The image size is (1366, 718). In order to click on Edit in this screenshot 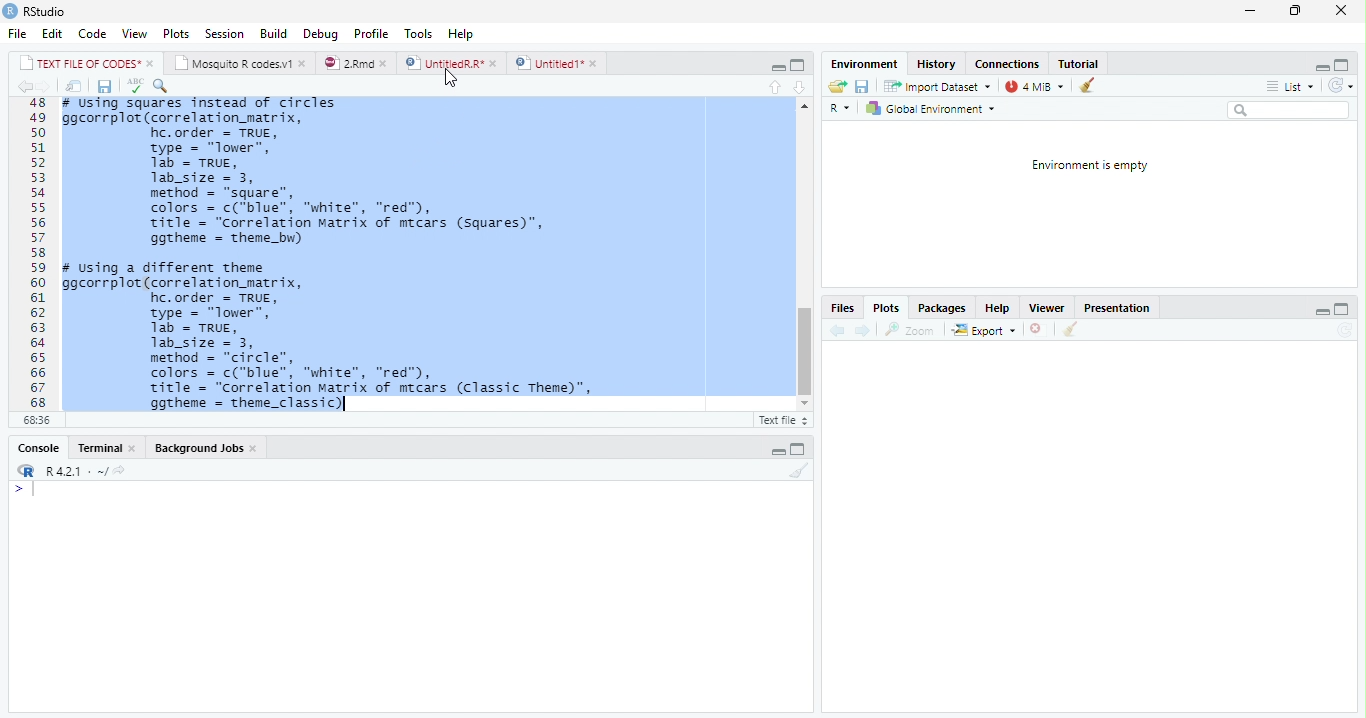, I will do `click(53, 34)`.